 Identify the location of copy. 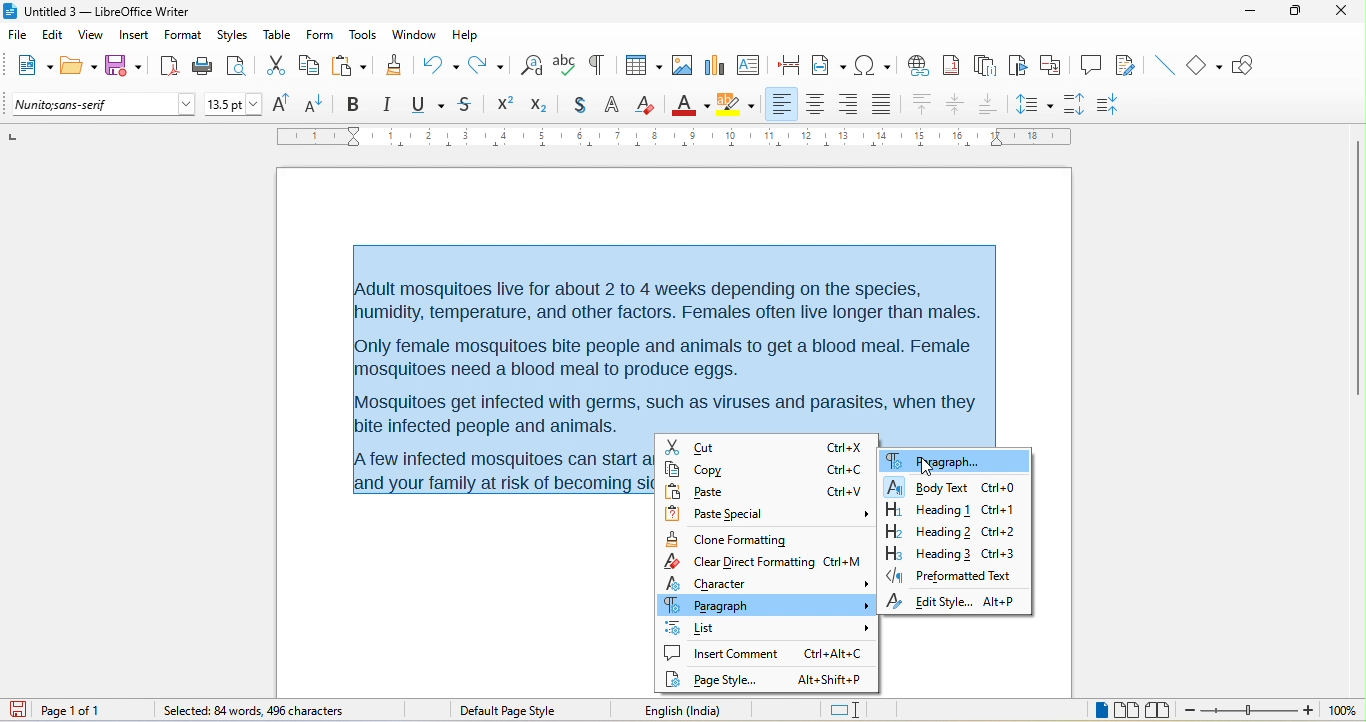
(310, 67).